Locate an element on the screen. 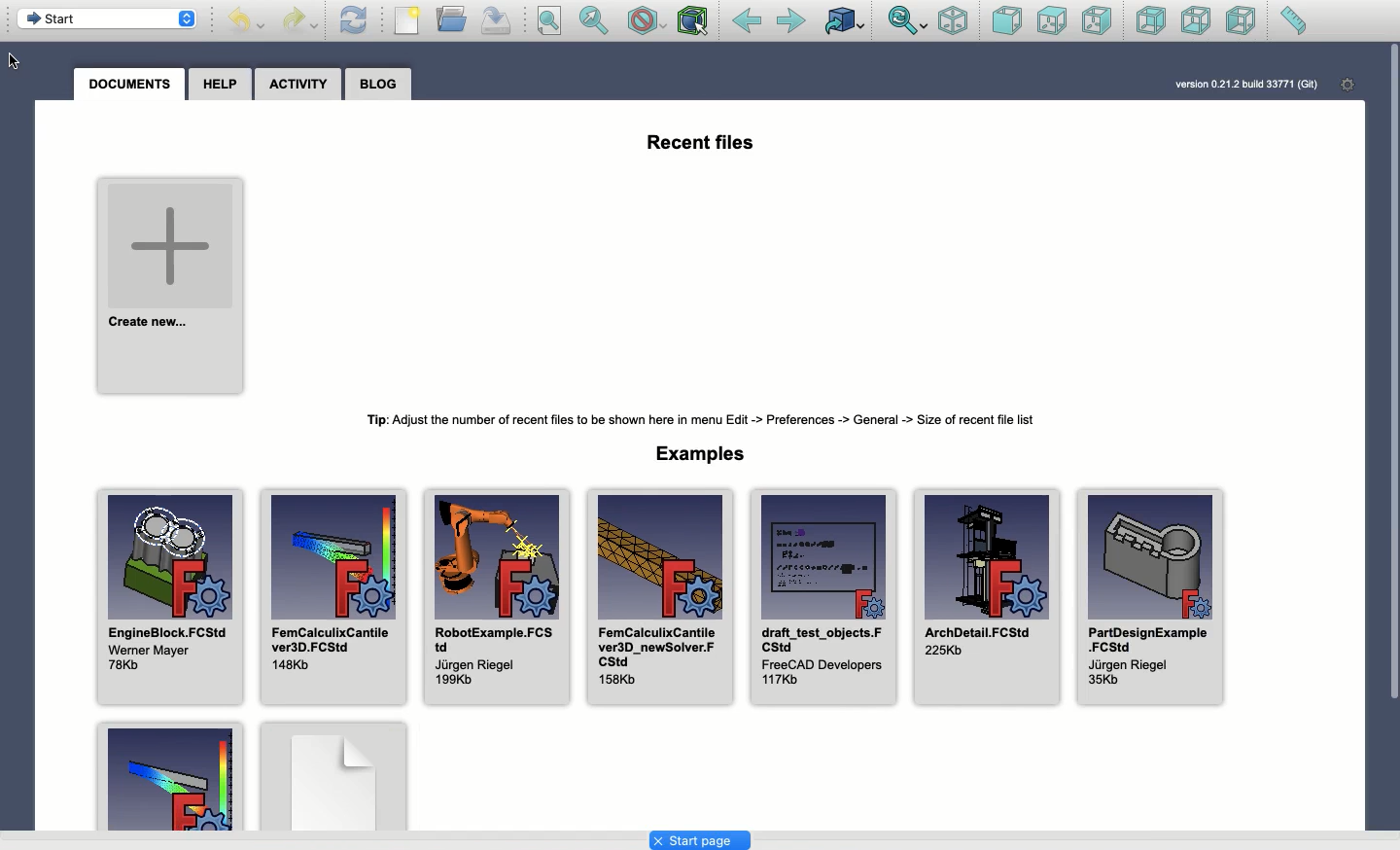 This screenshot has height=850, width=1400. Examples is located at coordinates (701, 453).